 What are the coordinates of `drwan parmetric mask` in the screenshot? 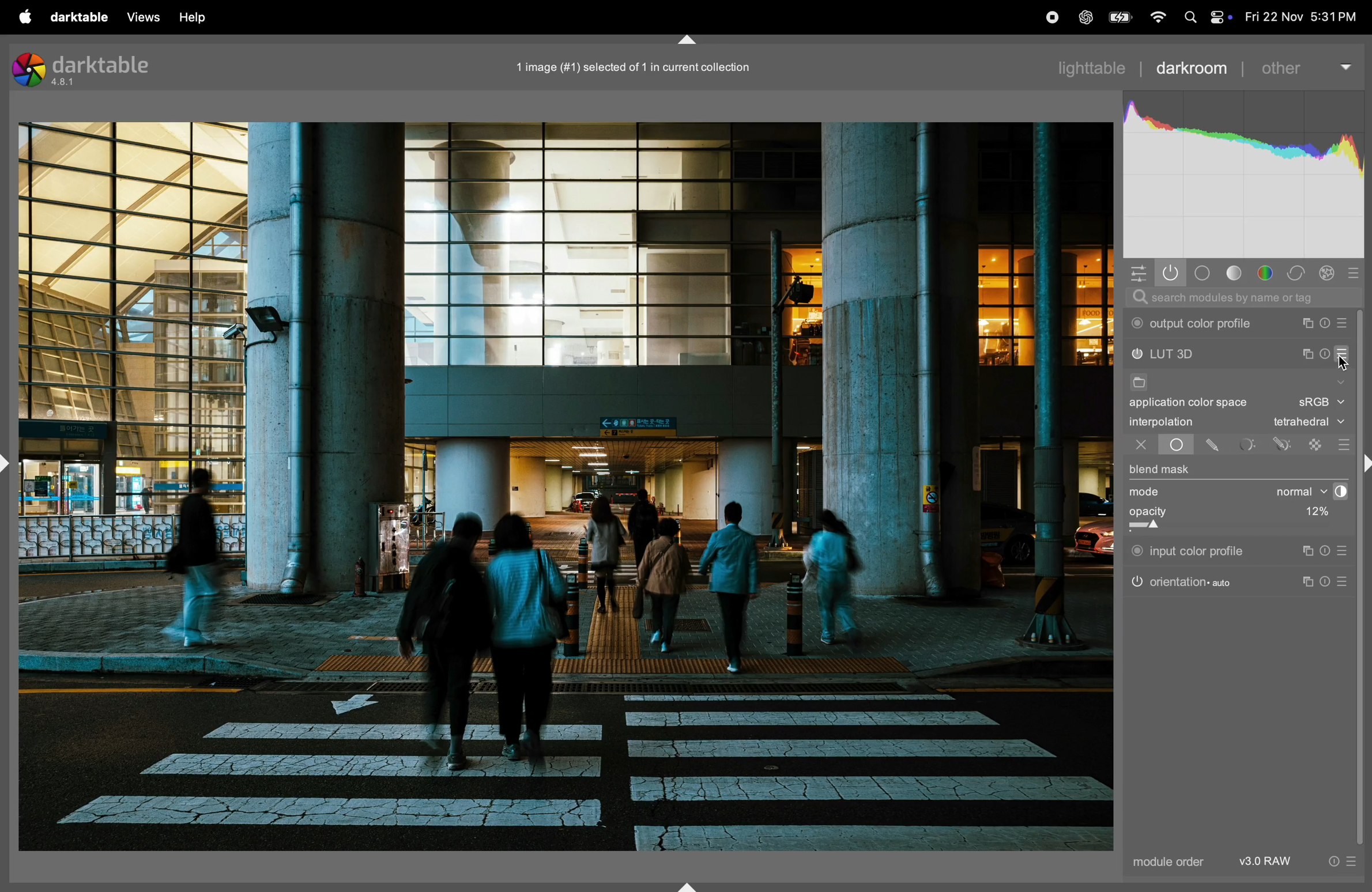 It's located at (1285, 443).